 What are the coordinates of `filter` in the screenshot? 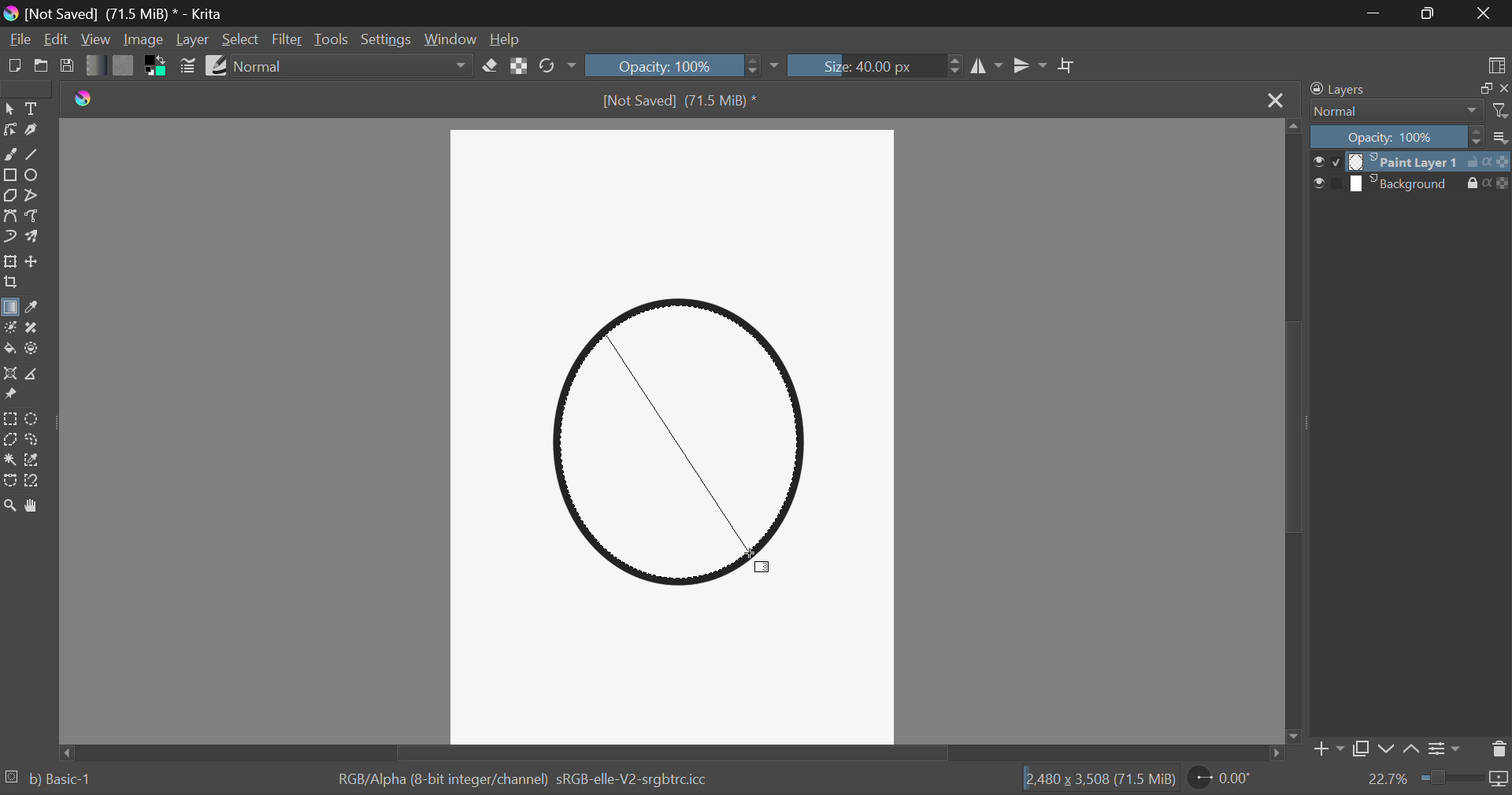 It's located at (1499, 111).